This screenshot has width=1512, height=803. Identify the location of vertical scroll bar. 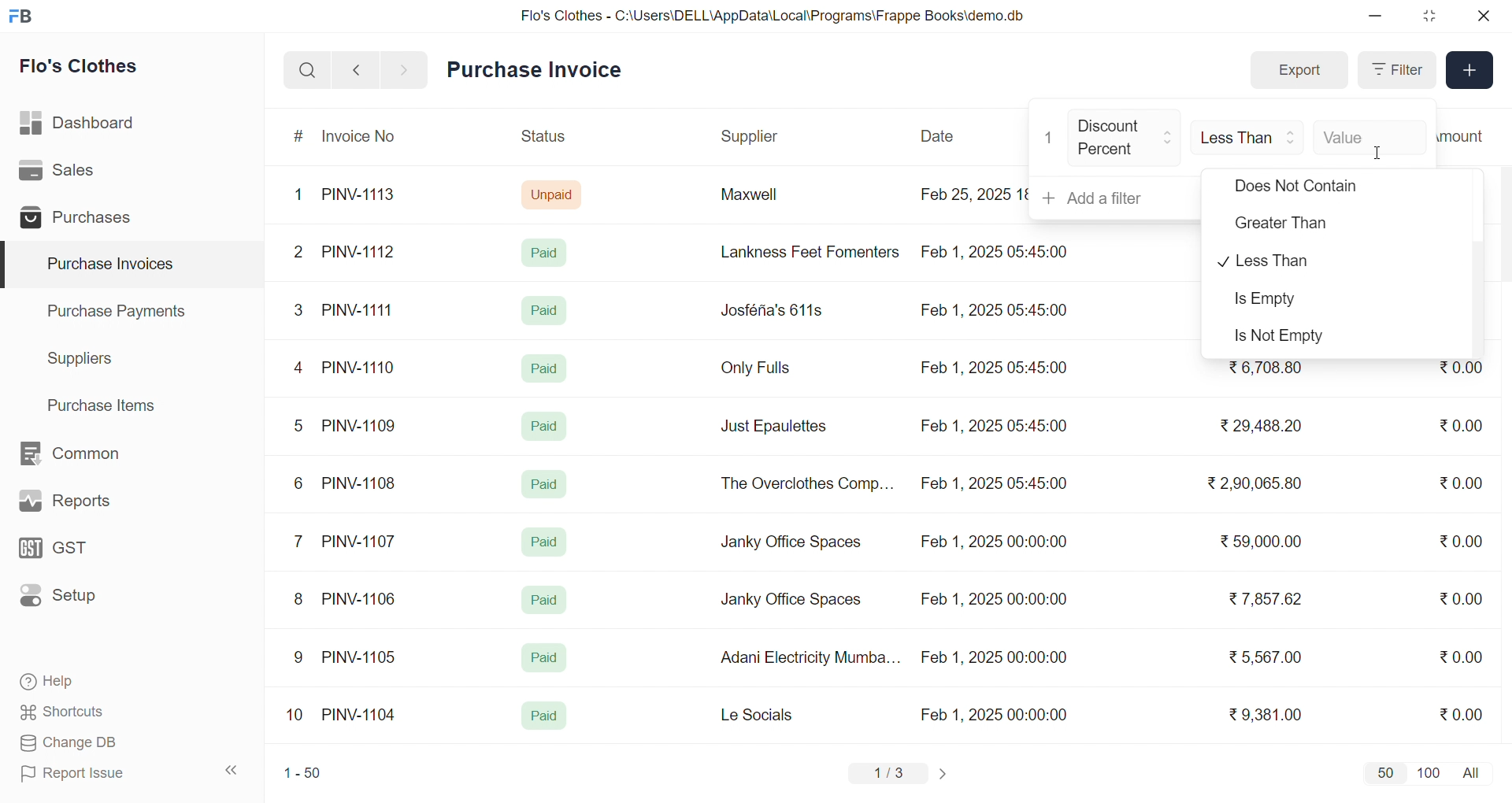
(1479, 298).